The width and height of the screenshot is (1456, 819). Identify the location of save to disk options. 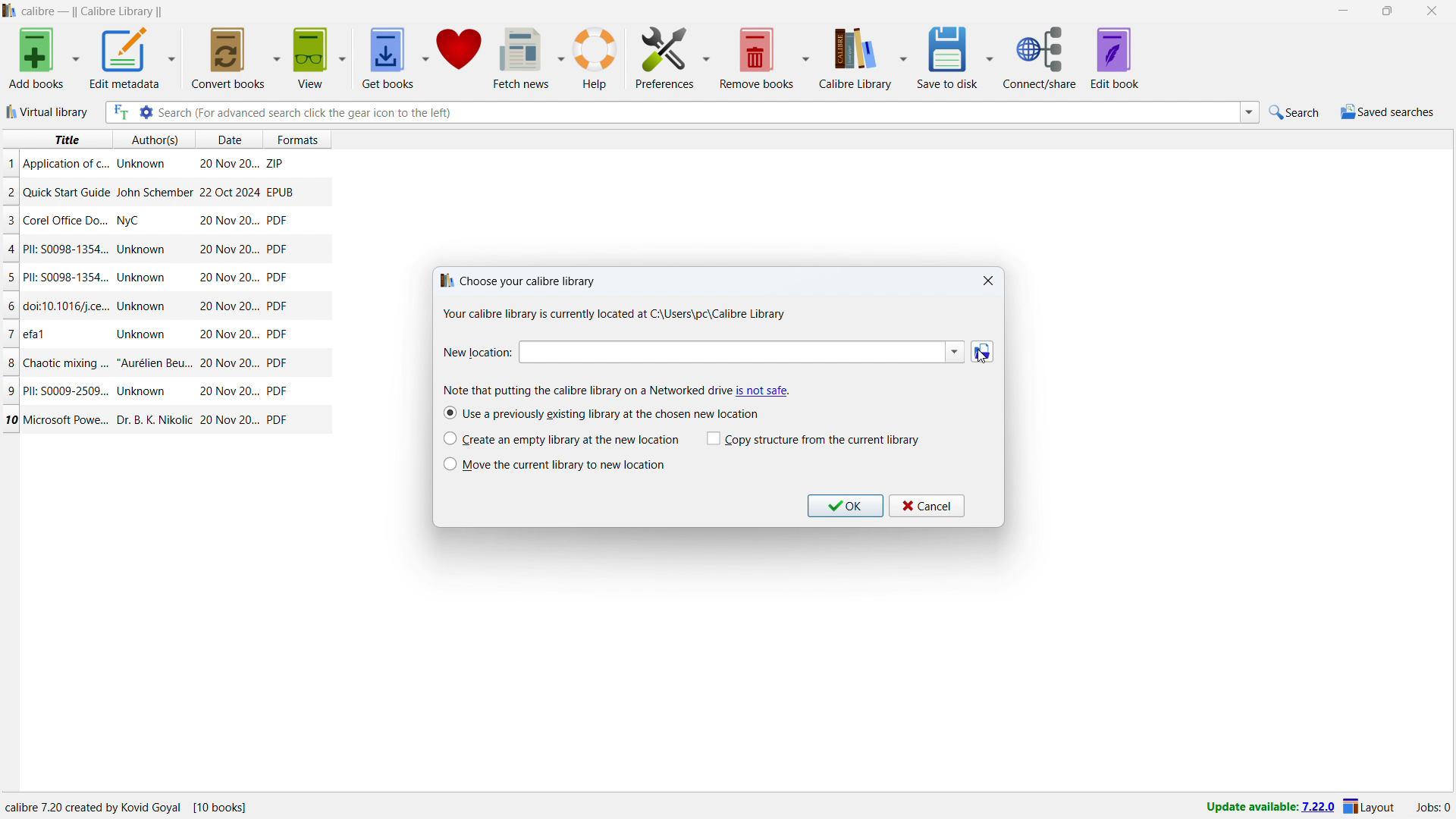
(991, 55).